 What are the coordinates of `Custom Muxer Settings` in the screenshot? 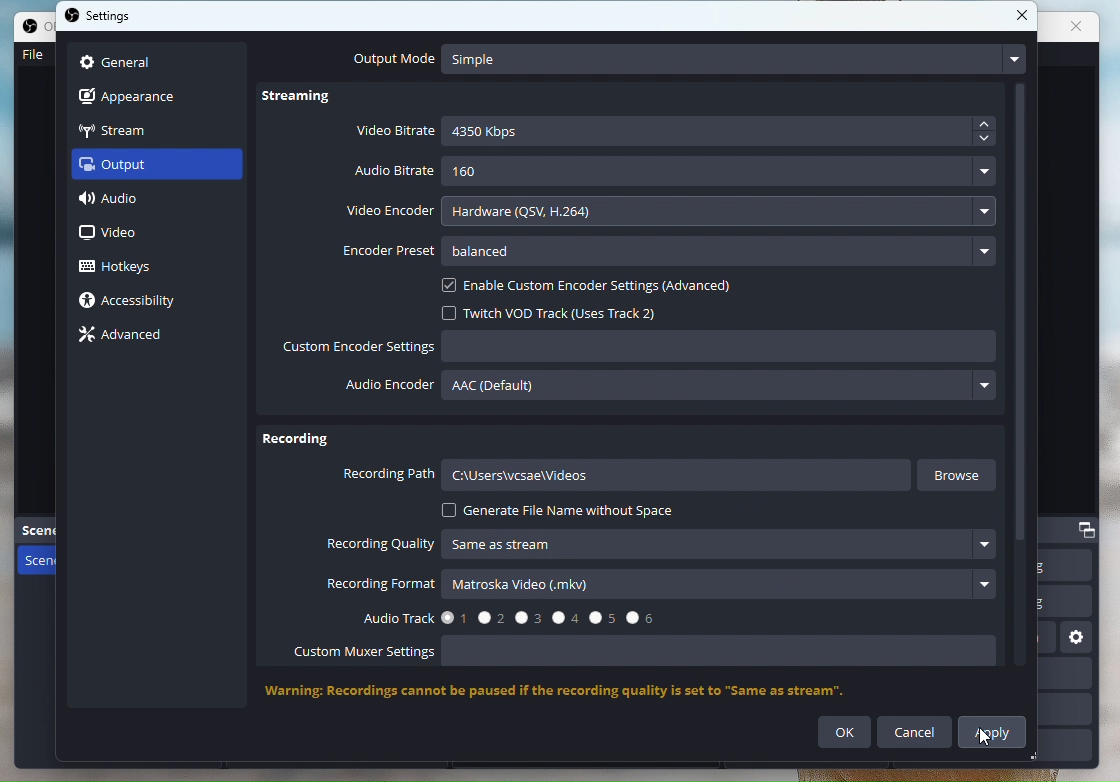 It's located at (655, 654).